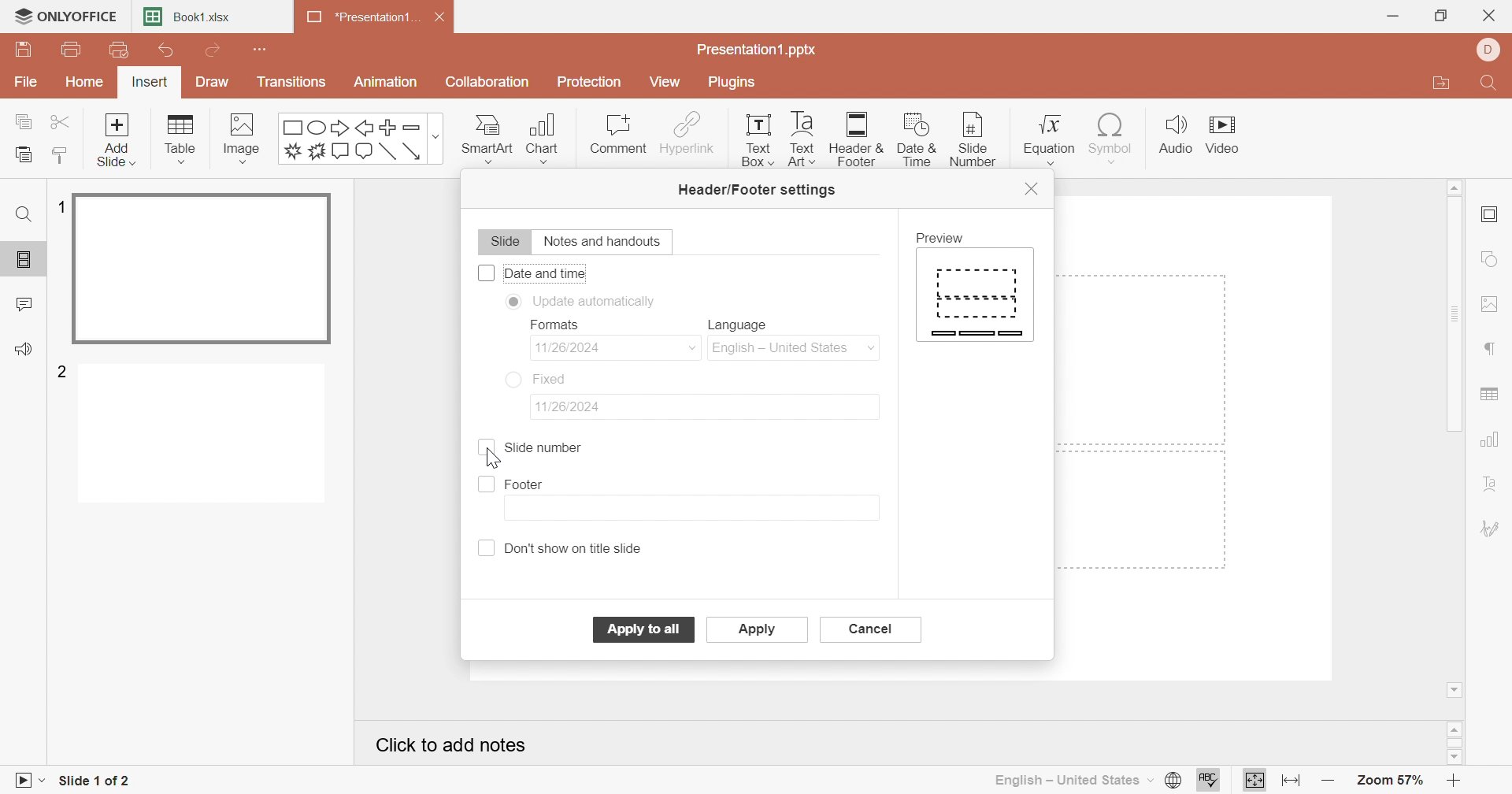 This screenshot has height=794, width=1512. What do you see at coordinates (25, 305) in the screenshot?
I see `Comments` at bounding box center [25, 305].